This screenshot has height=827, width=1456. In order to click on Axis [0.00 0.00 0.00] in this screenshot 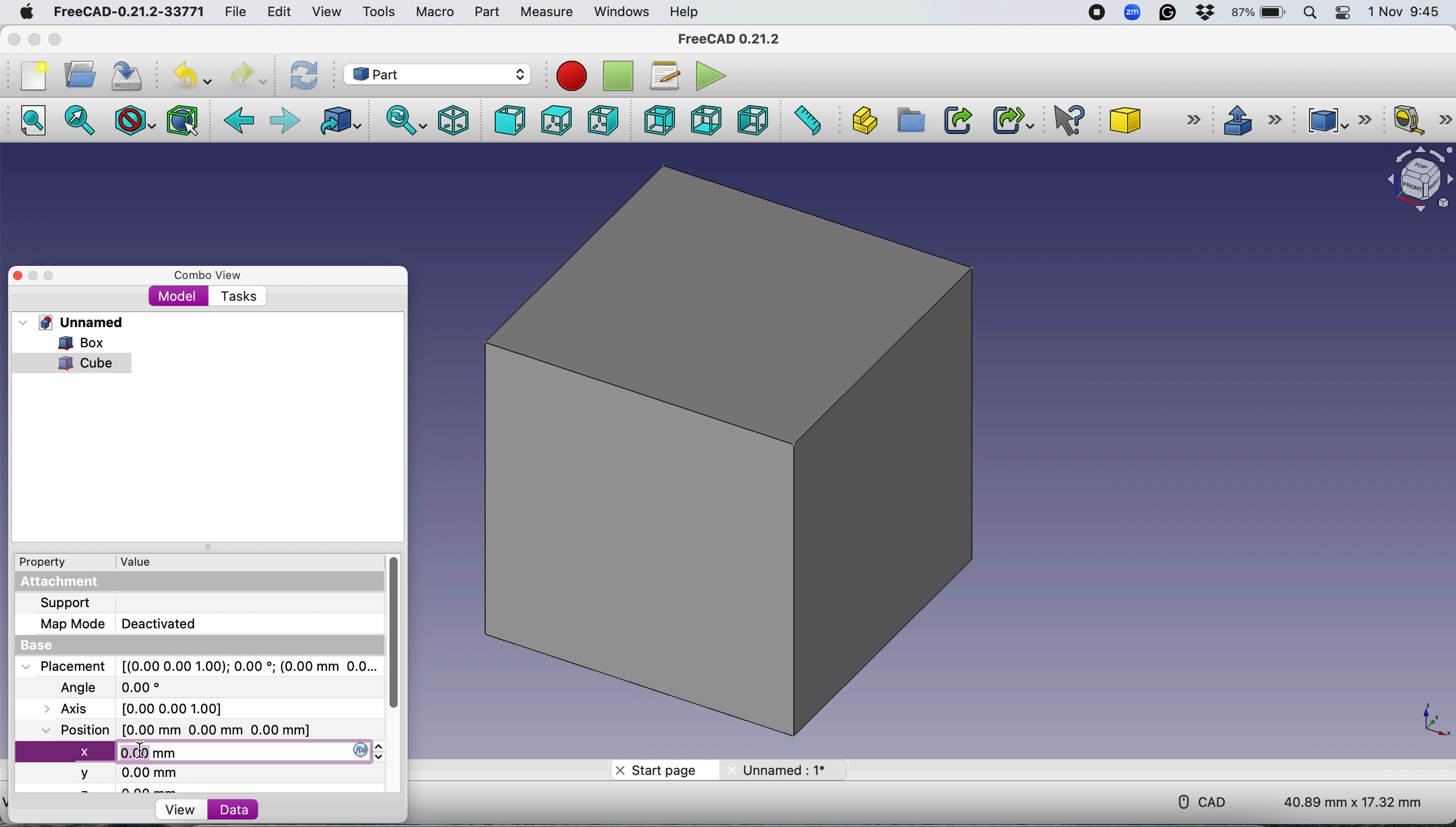, I will do `click(143, 708)`.